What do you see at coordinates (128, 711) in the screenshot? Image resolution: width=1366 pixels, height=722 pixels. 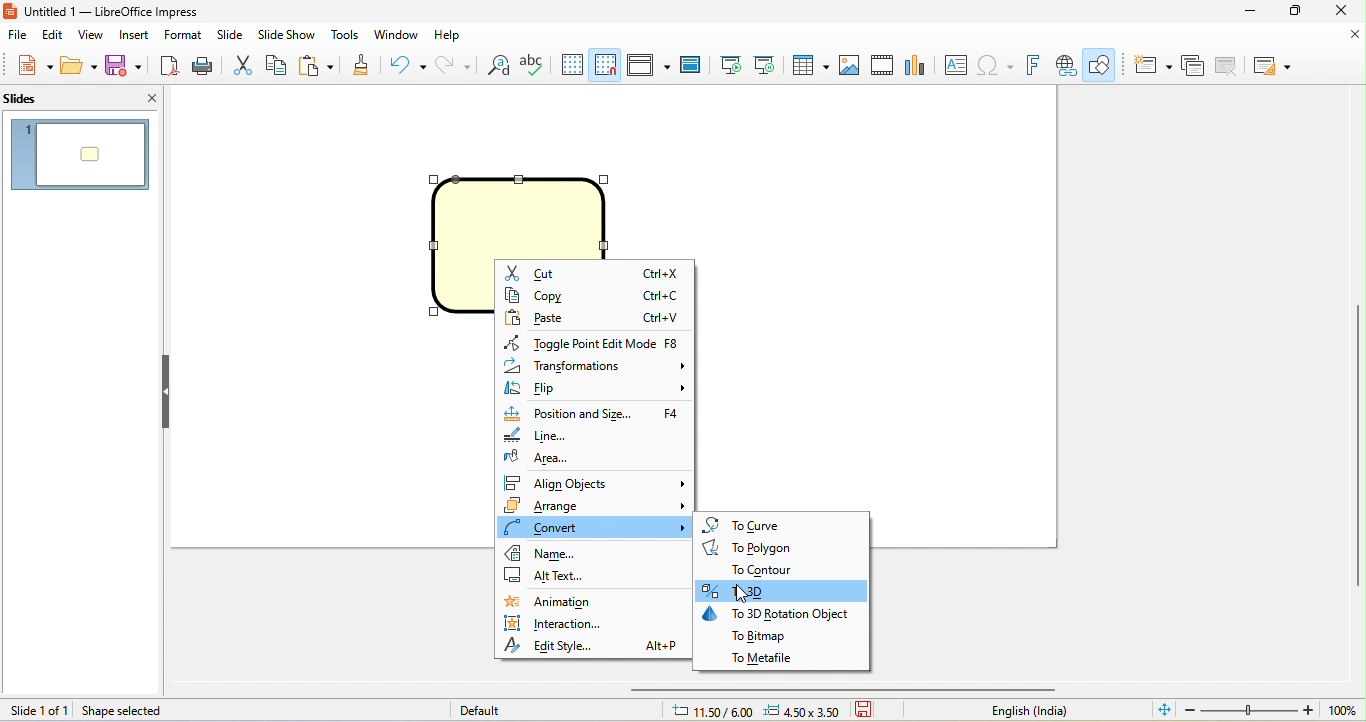 I see `shape selected` at bounding box center [128, 711].